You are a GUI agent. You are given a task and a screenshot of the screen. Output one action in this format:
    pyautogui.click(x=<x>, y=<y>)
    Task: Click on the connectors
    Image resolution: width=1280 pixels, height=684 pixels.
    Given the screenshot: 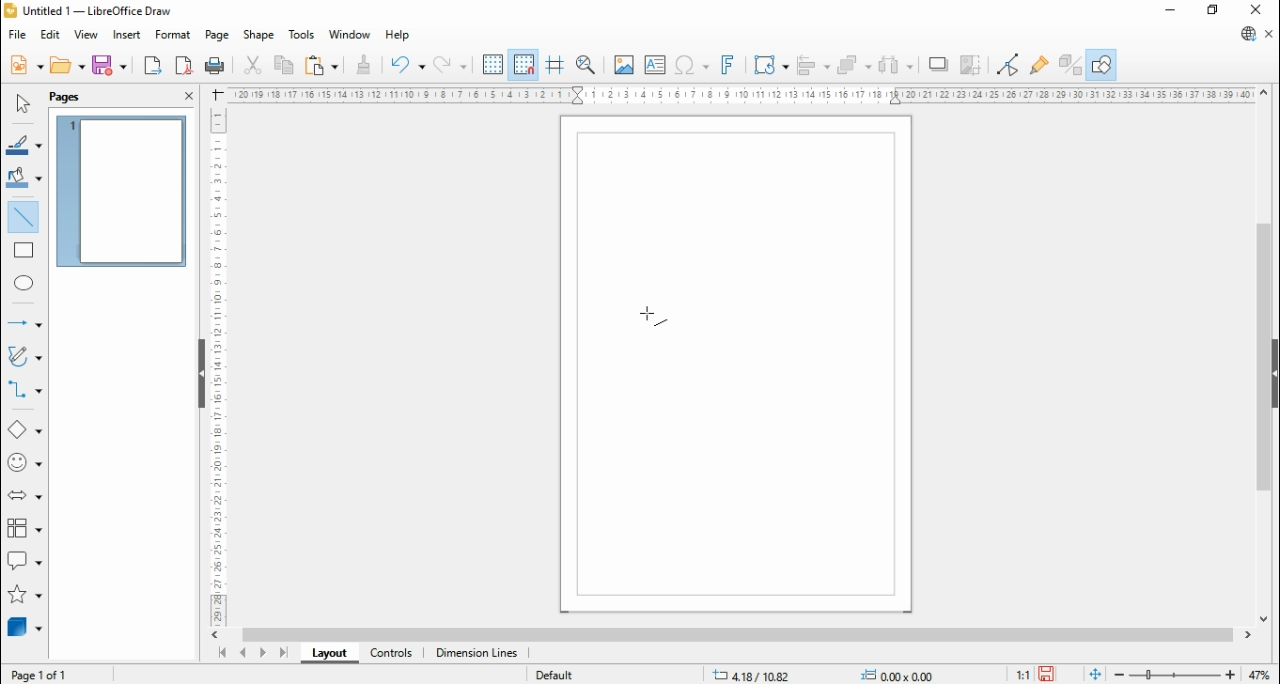 What is the action you would take?
    pyautogui.click(x=24, y=388)
    